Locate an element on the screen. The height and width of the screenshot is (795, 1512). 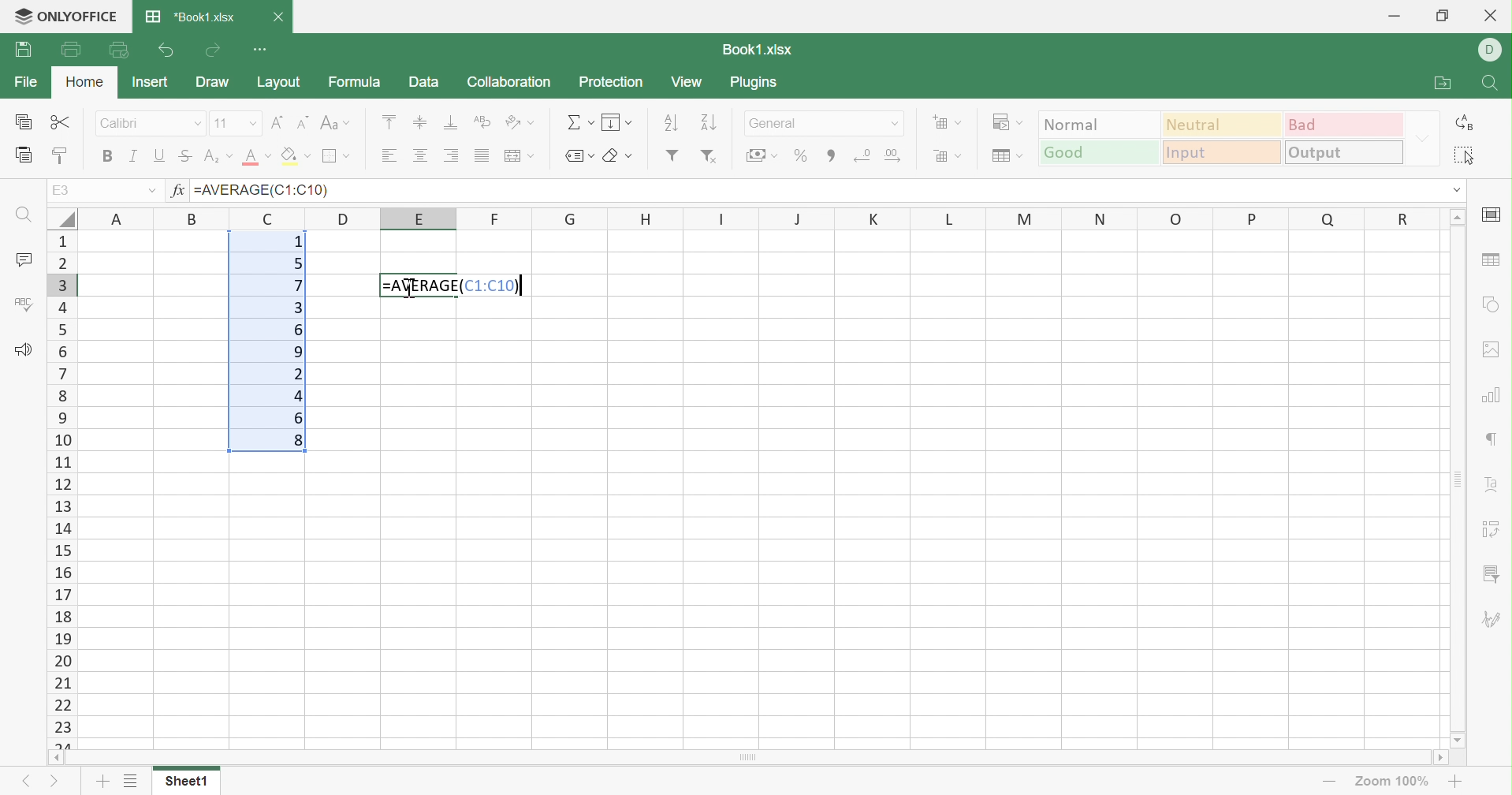
9 is located at coordinates (299, 354).